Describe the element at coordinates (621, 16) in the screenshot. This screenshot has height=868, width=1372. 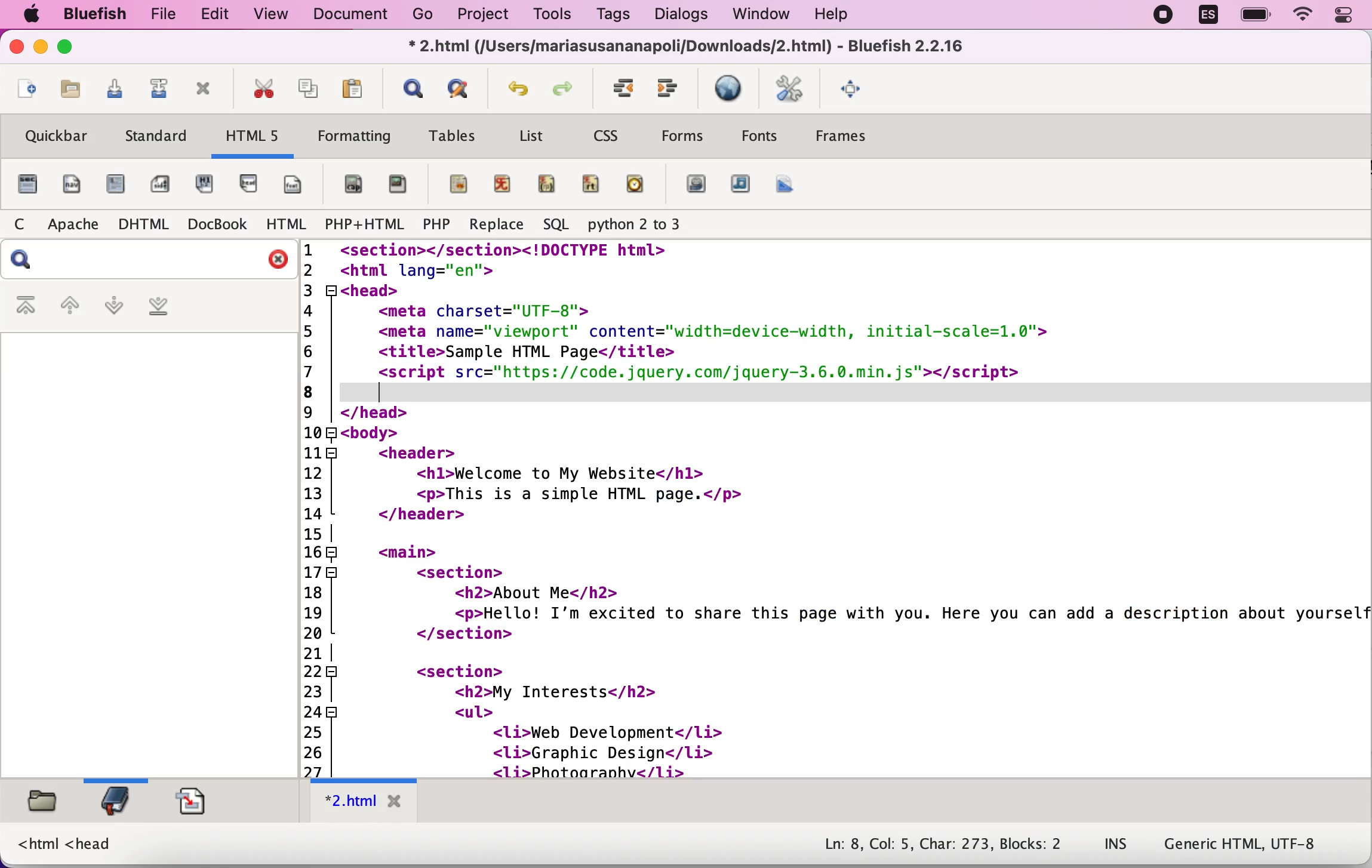
I see `tags` at that location.